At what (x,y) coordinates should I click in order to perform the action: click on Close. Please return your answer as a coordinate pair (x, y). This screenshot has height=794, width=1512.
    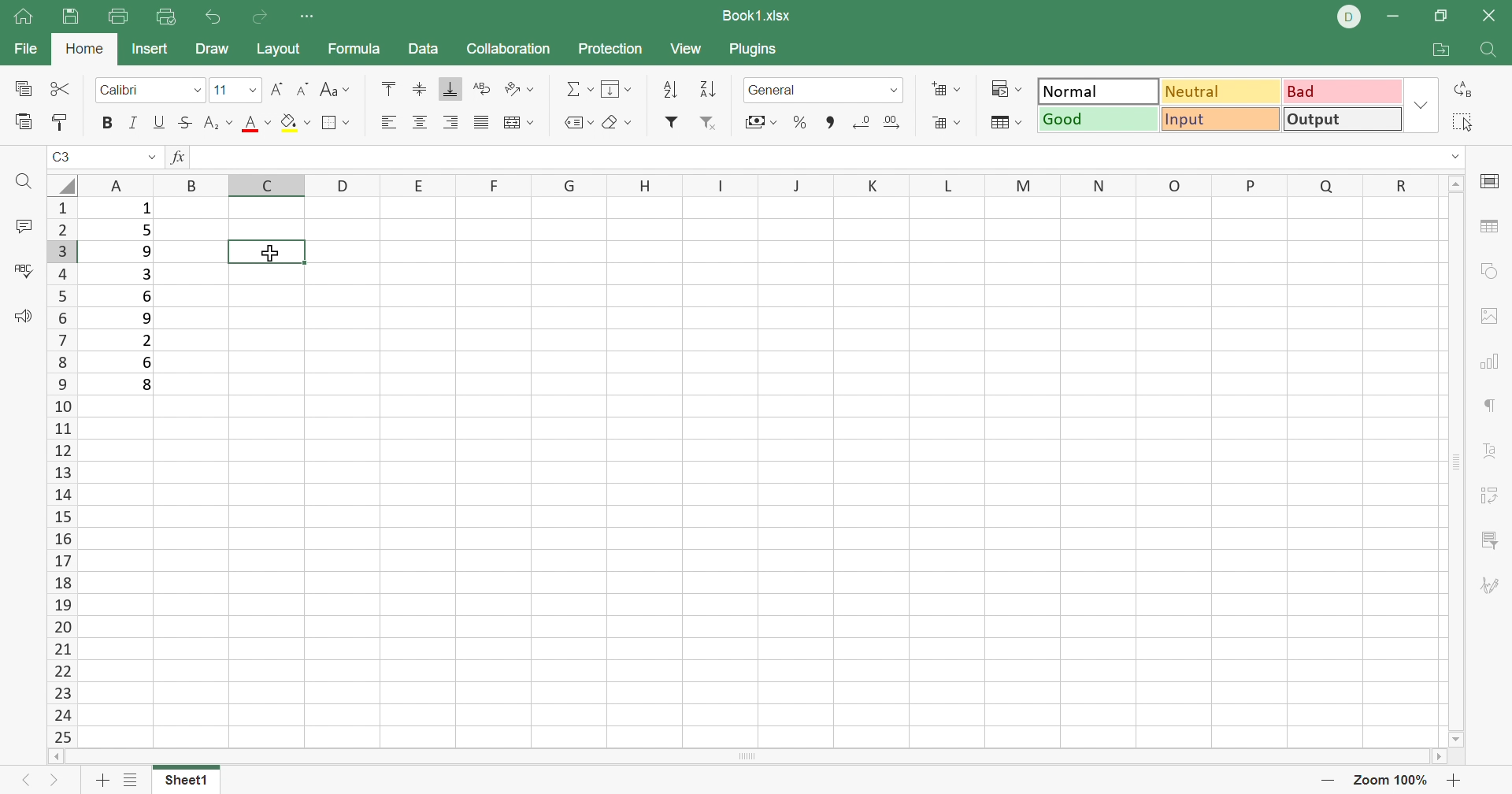
    Looking at the image, I should click on (1493, 13).